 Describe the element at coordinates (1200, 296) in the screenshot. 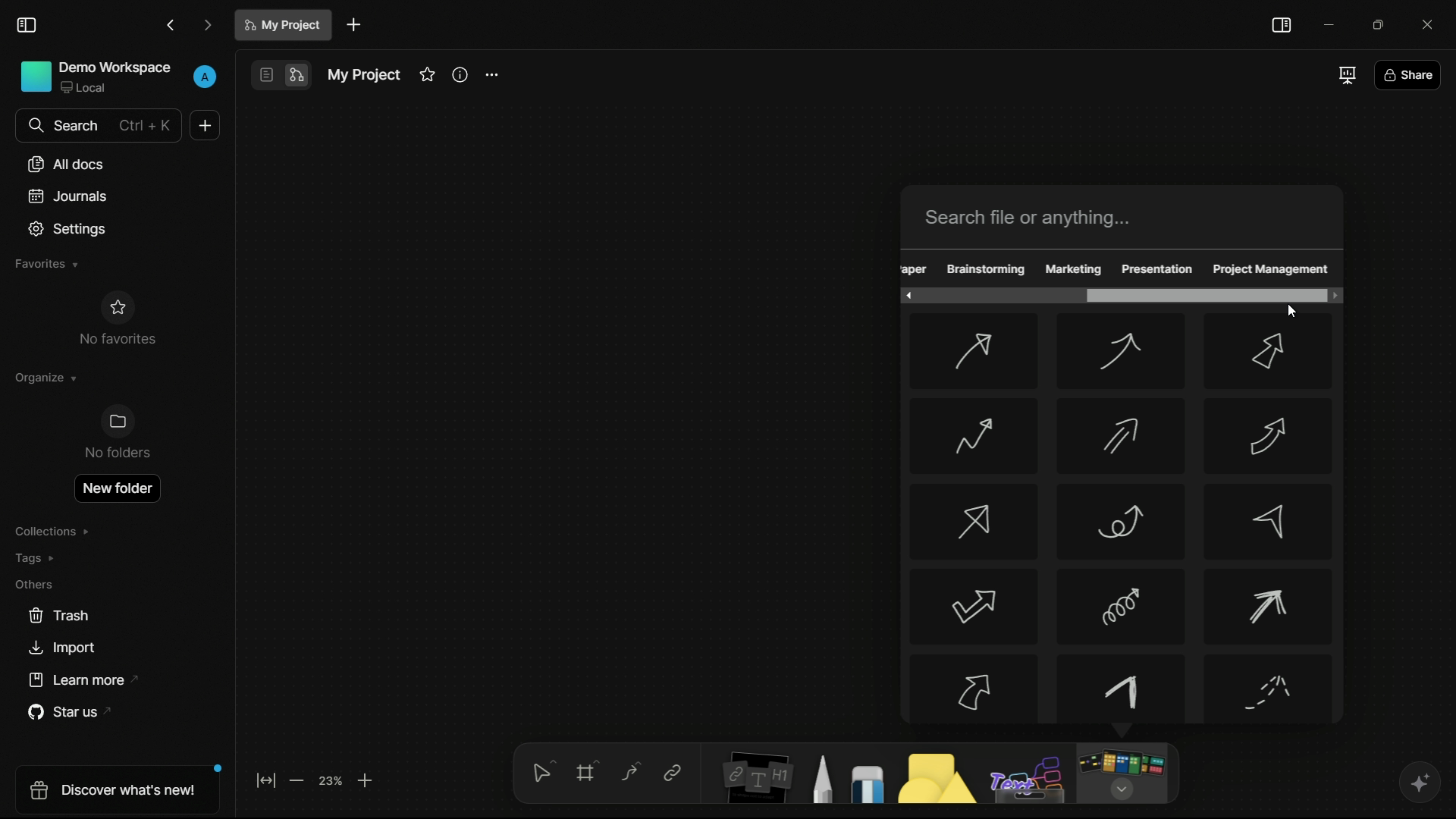

I see `scroll bar` at that location.